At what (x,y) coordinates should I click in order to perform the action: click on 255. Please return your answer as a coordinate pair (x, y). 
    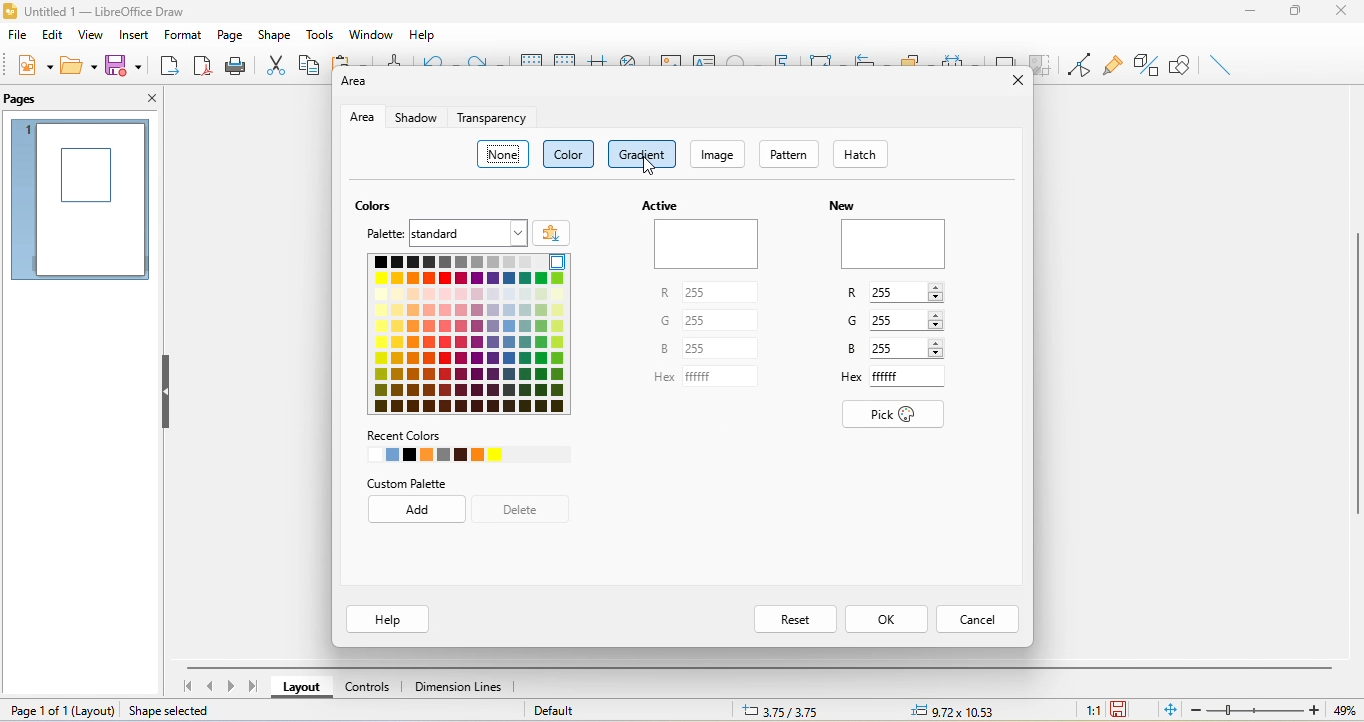
    Looking at the image, I should click on (908, 290).